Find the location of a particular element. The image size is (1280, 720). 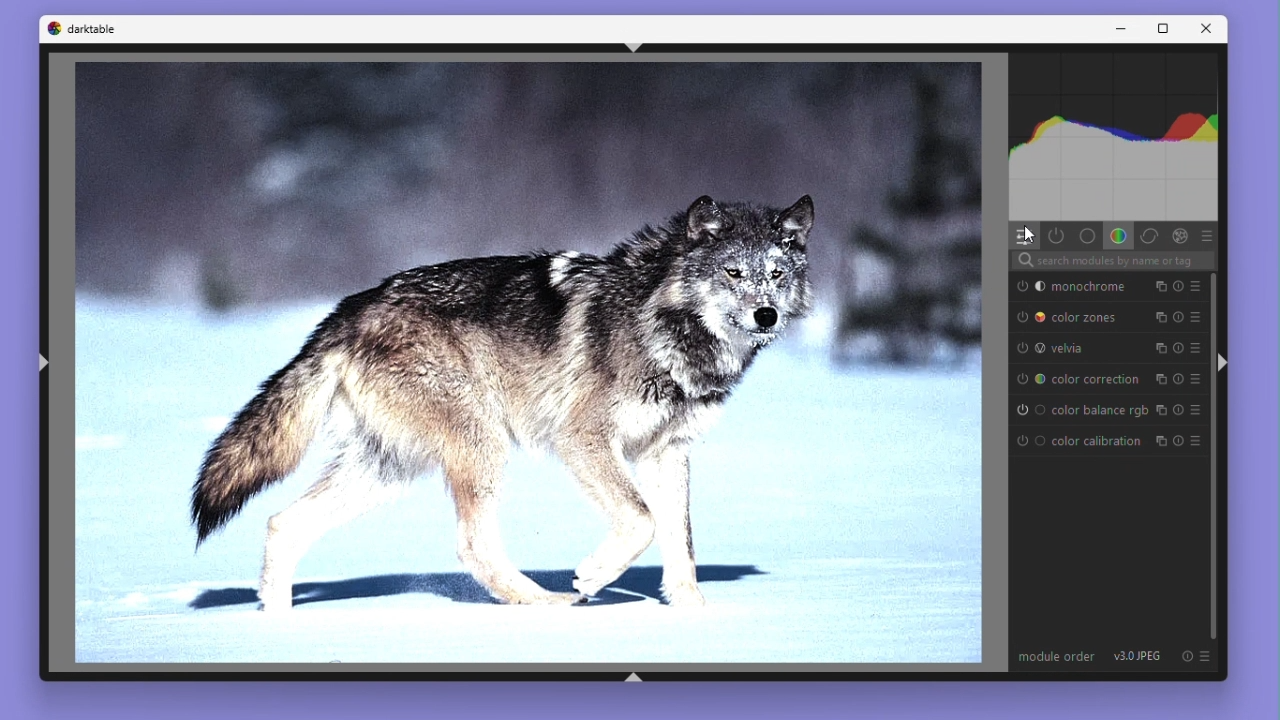

color balance rgb  is located at coordinates (1080, 410).